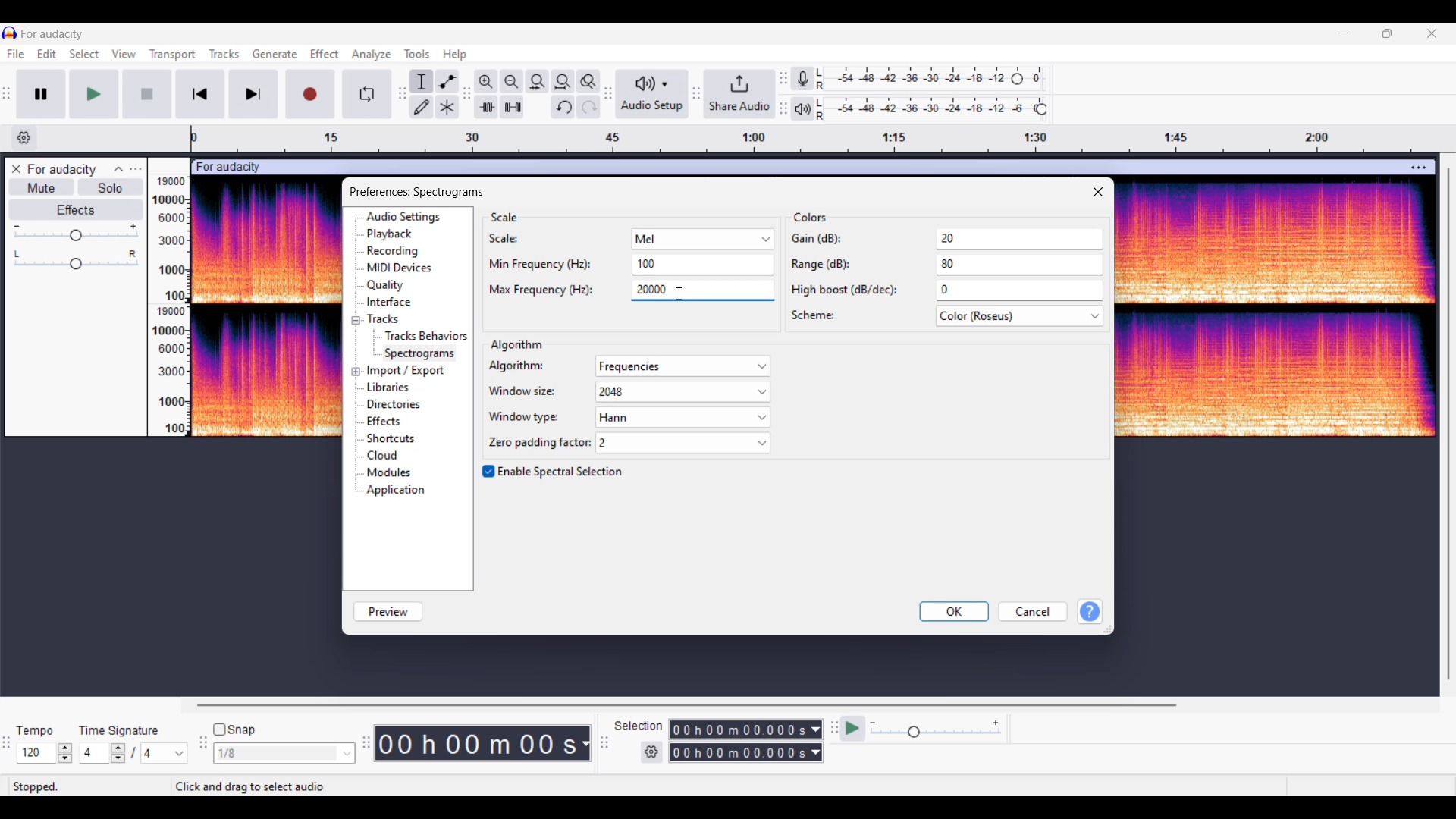 This screenshot has height=819, width=1456. What do you see at coordinates (626, 419) in the screenshot?
I see `window type` at bounding box center [626, 419].